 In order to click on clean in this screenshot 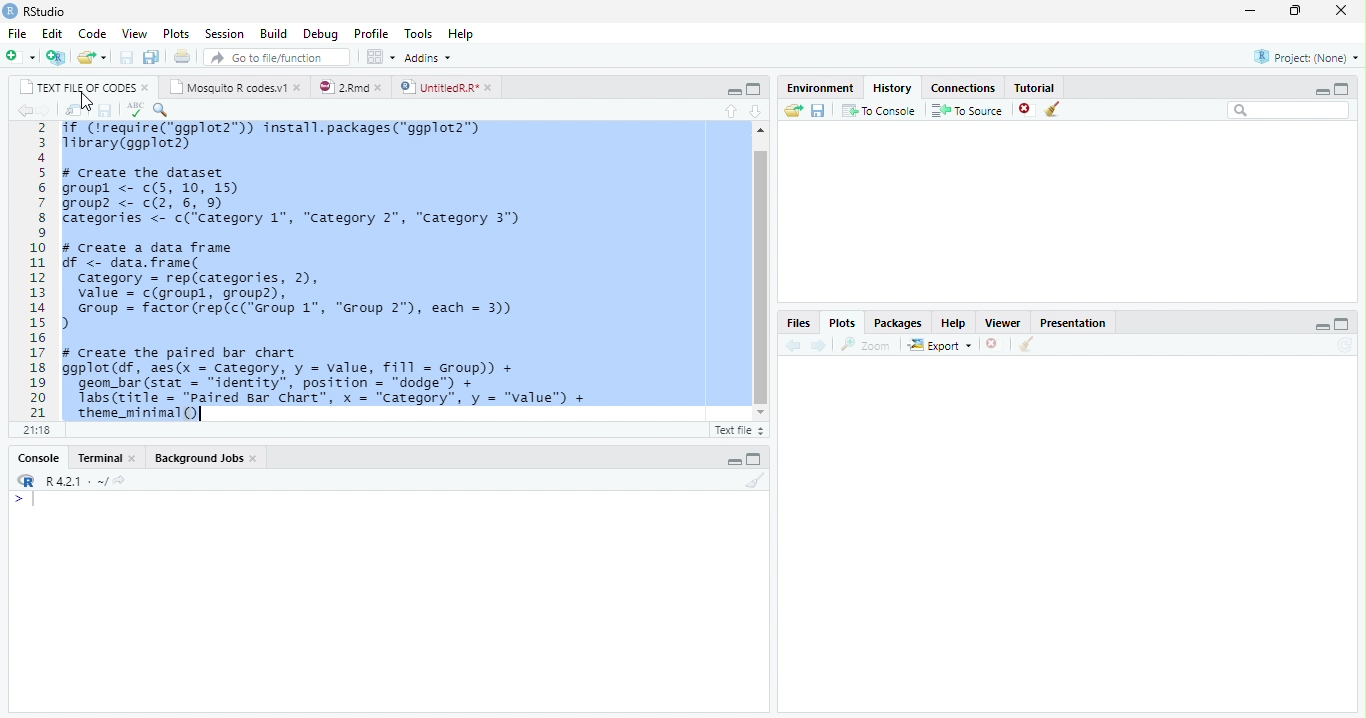, I will do `click(1029, 345)`.